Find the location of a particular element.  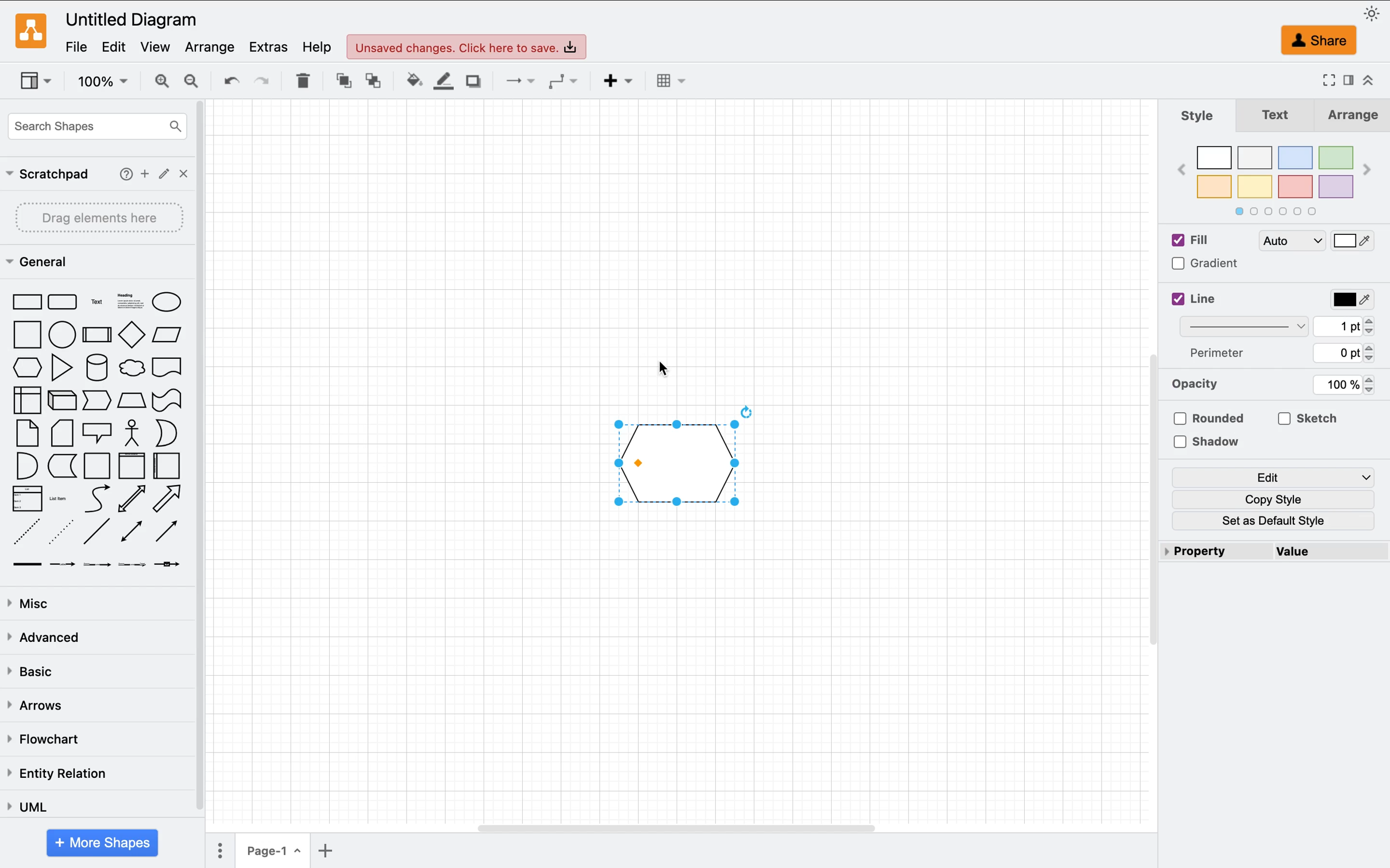

arrange is located at coordinates (210, 45).